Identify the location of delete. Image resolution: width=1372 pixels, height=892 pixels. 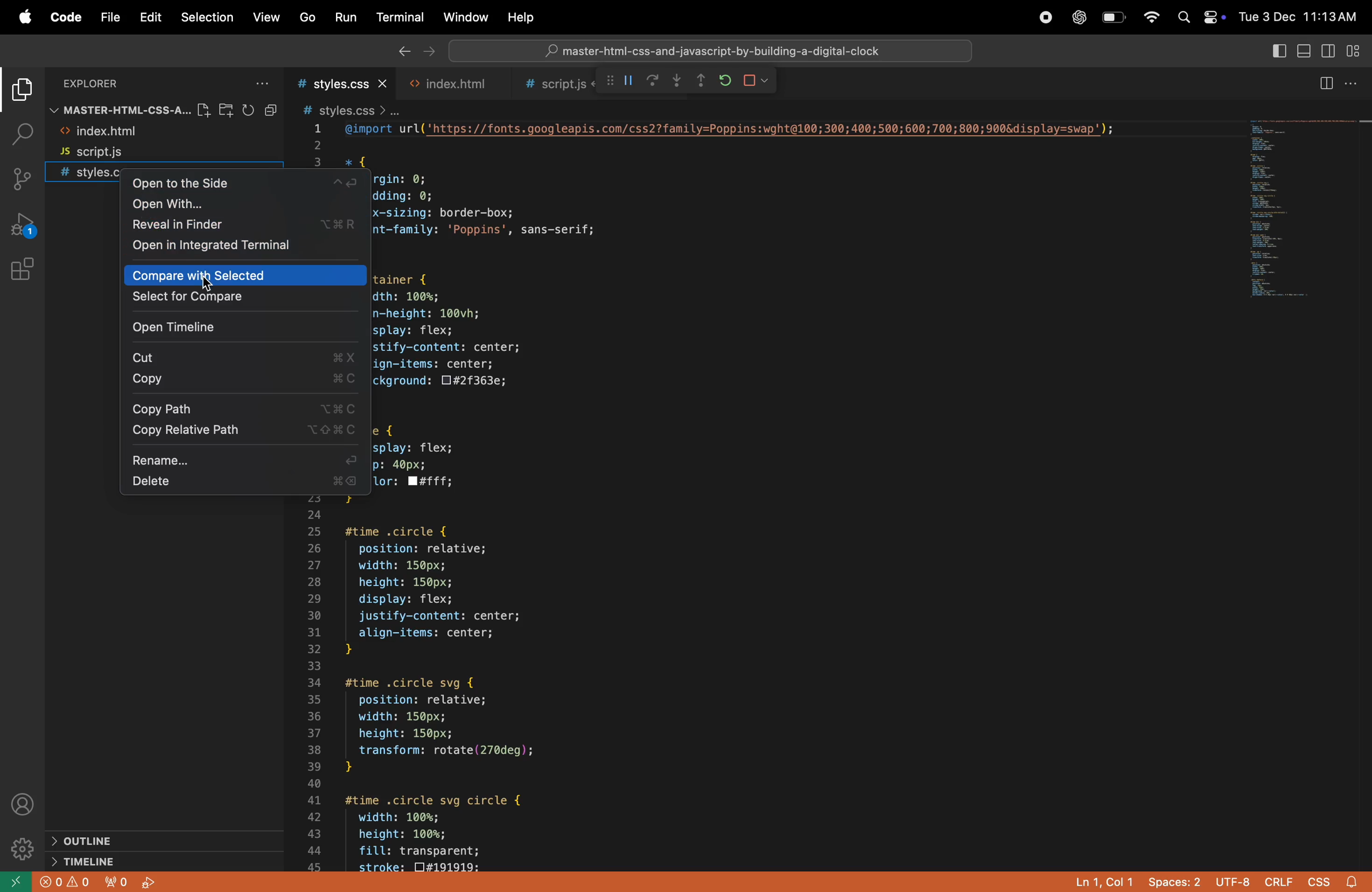
(244, 482).